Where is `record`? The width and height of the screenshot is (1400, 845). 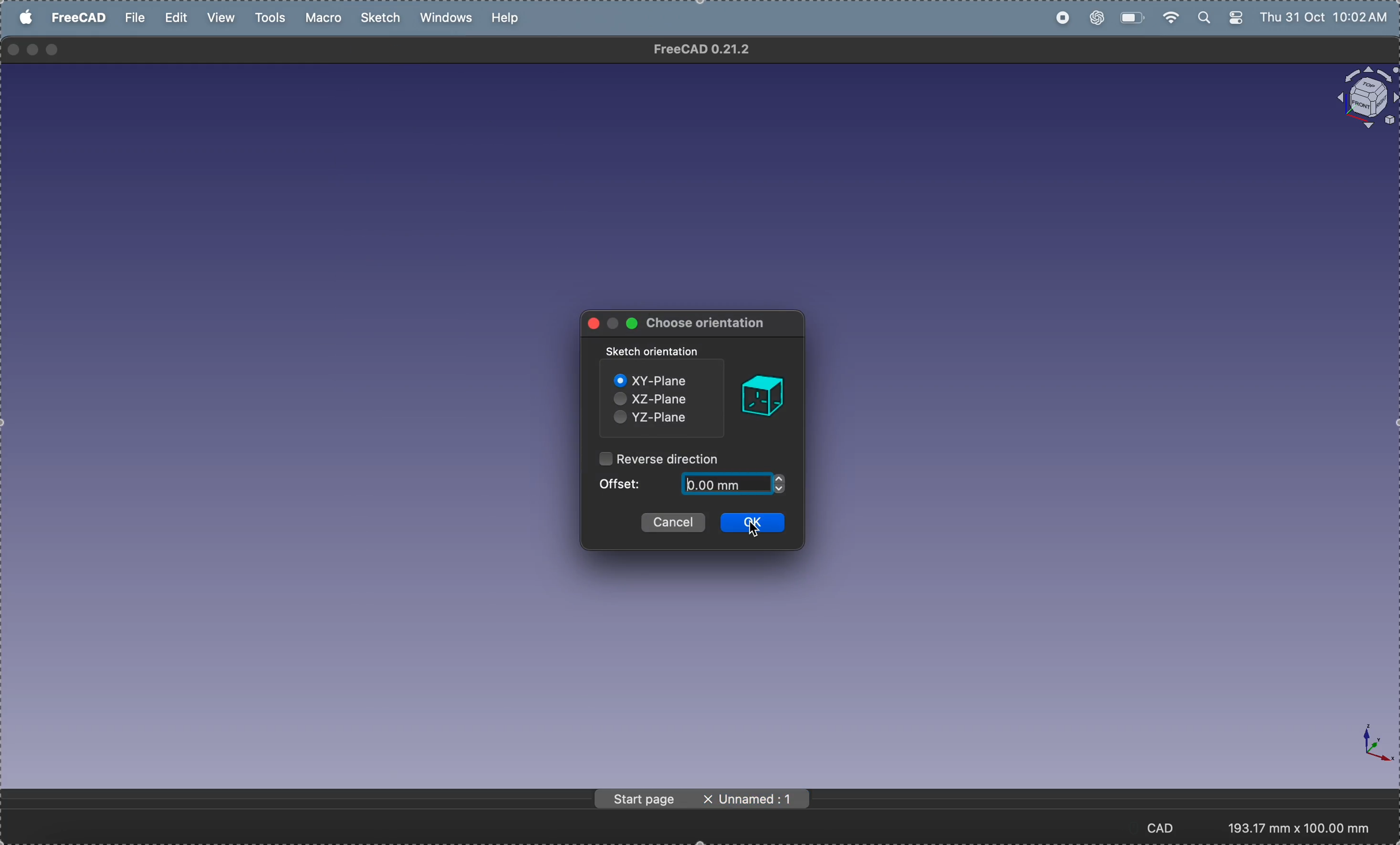
record is located at coordinates (1062, 18).